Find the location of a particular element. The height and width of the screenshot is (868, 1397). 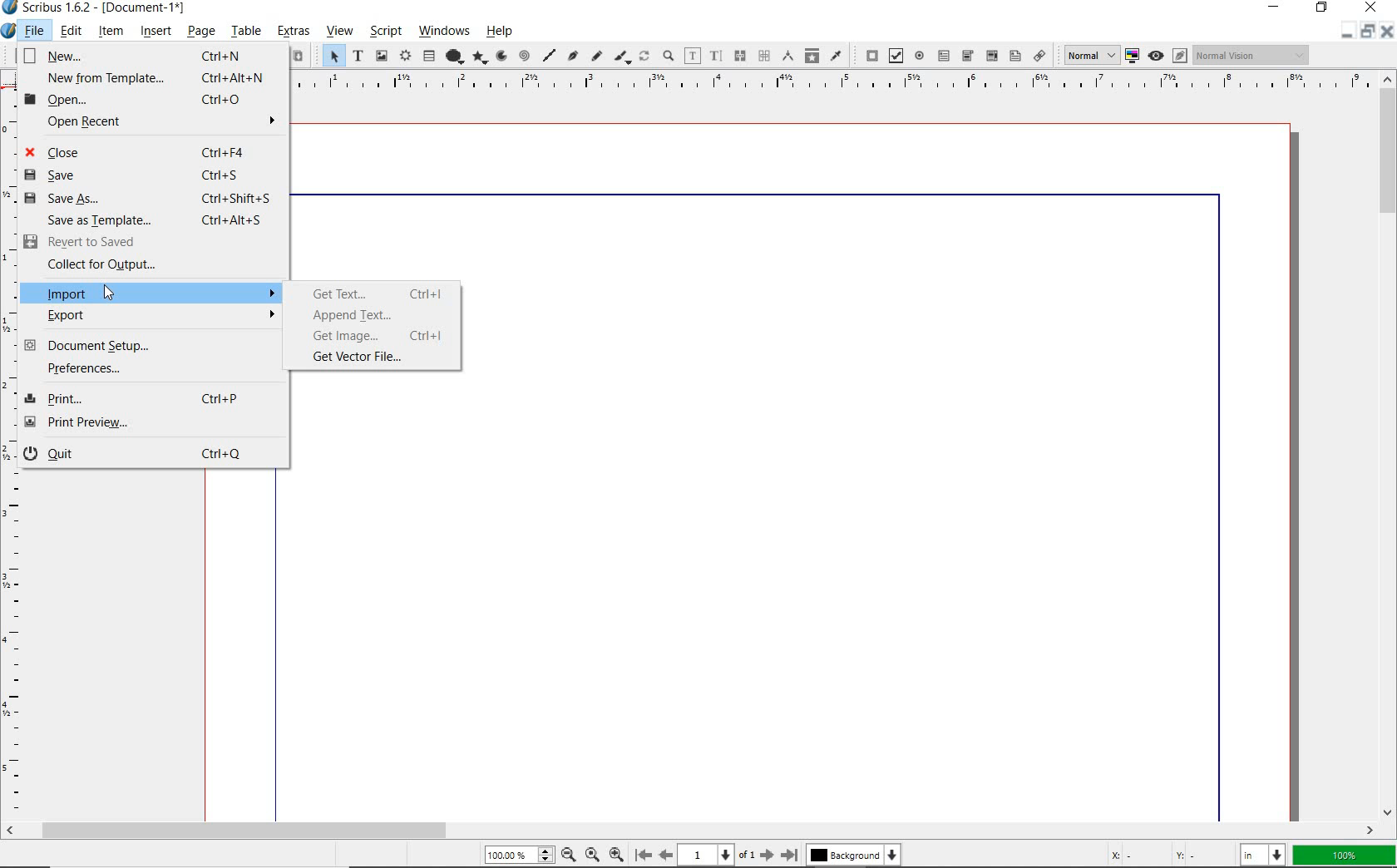

preview mode is located at coordinates (1167, 56).